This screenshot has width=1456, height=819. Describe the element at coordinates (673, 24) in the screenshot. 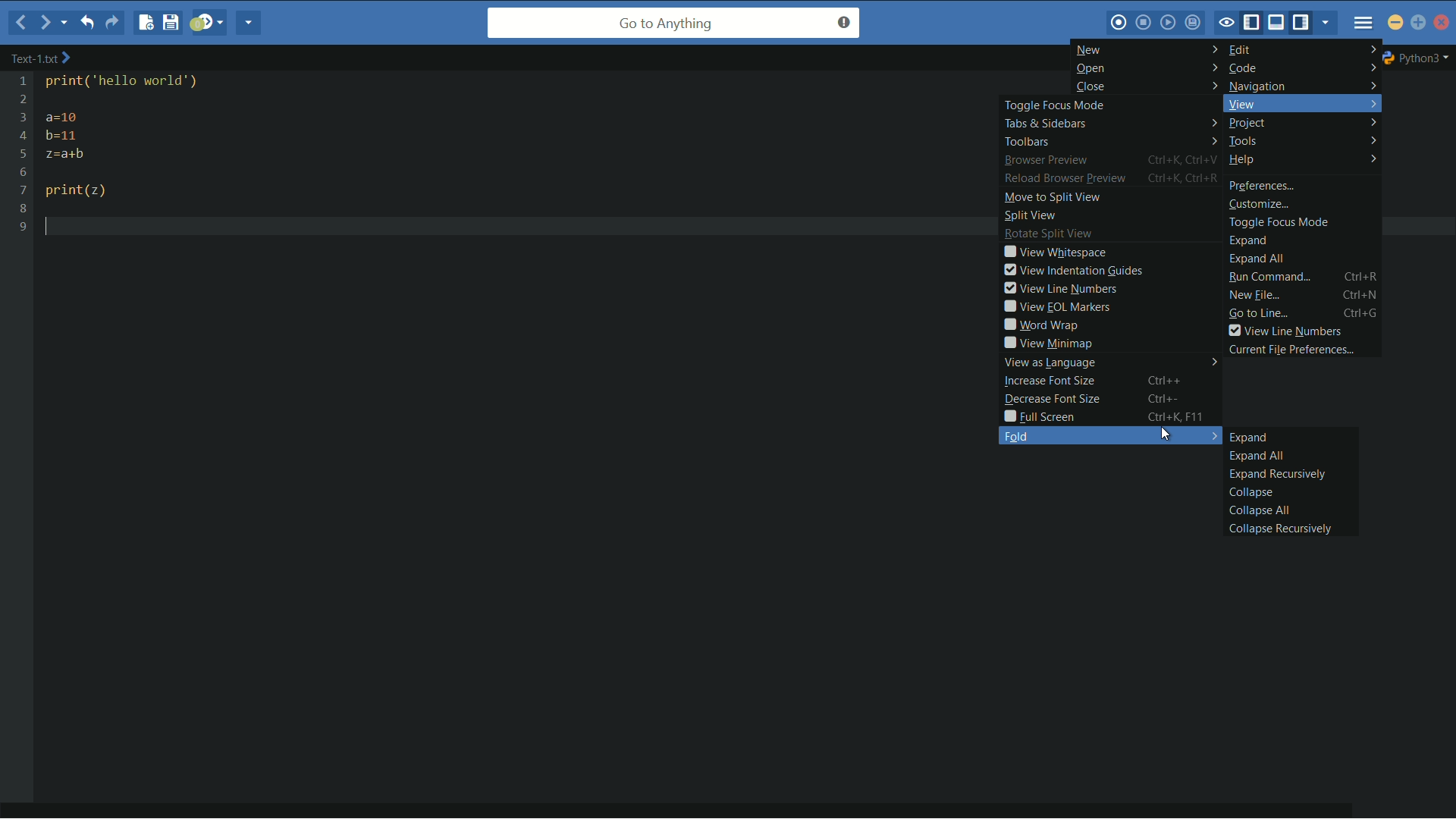

I see `go to anything` at that location.